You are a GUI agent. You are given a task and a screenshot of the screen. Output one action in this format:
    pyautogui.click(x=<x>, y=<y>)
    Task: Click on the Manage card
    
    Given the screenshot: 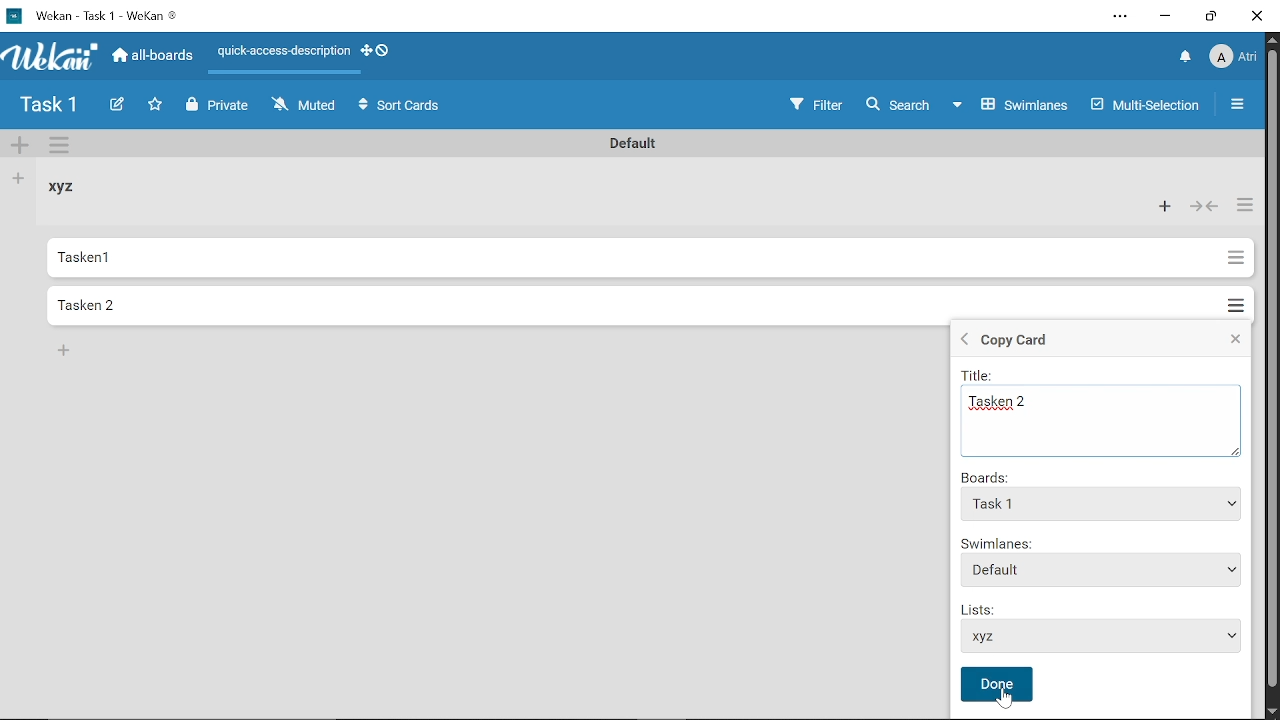 What is the action you would take?
    pyautogui.click(x=1234, y=258)
    